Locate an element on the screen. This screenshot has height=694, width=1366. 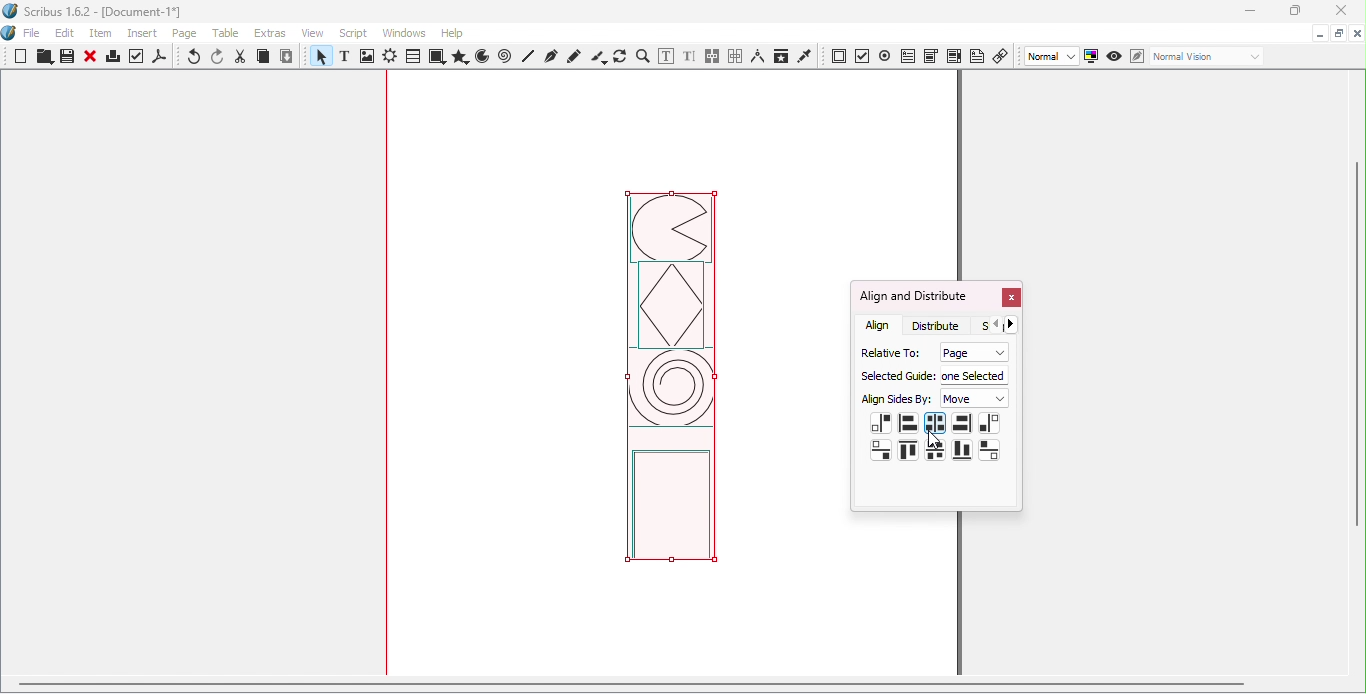
Polygon is located at coordinates (458, 57).